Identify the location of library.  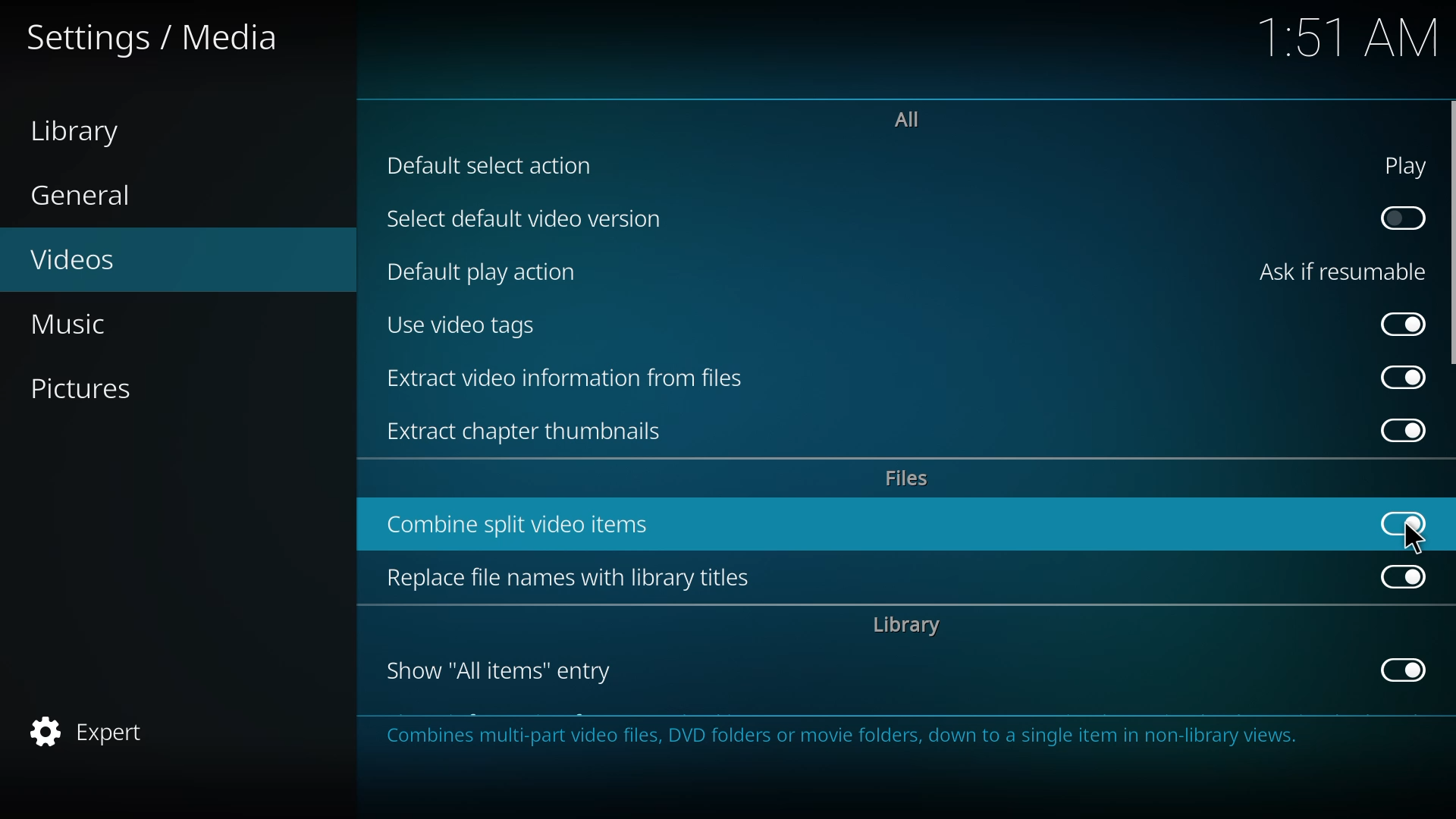
(85, 130).